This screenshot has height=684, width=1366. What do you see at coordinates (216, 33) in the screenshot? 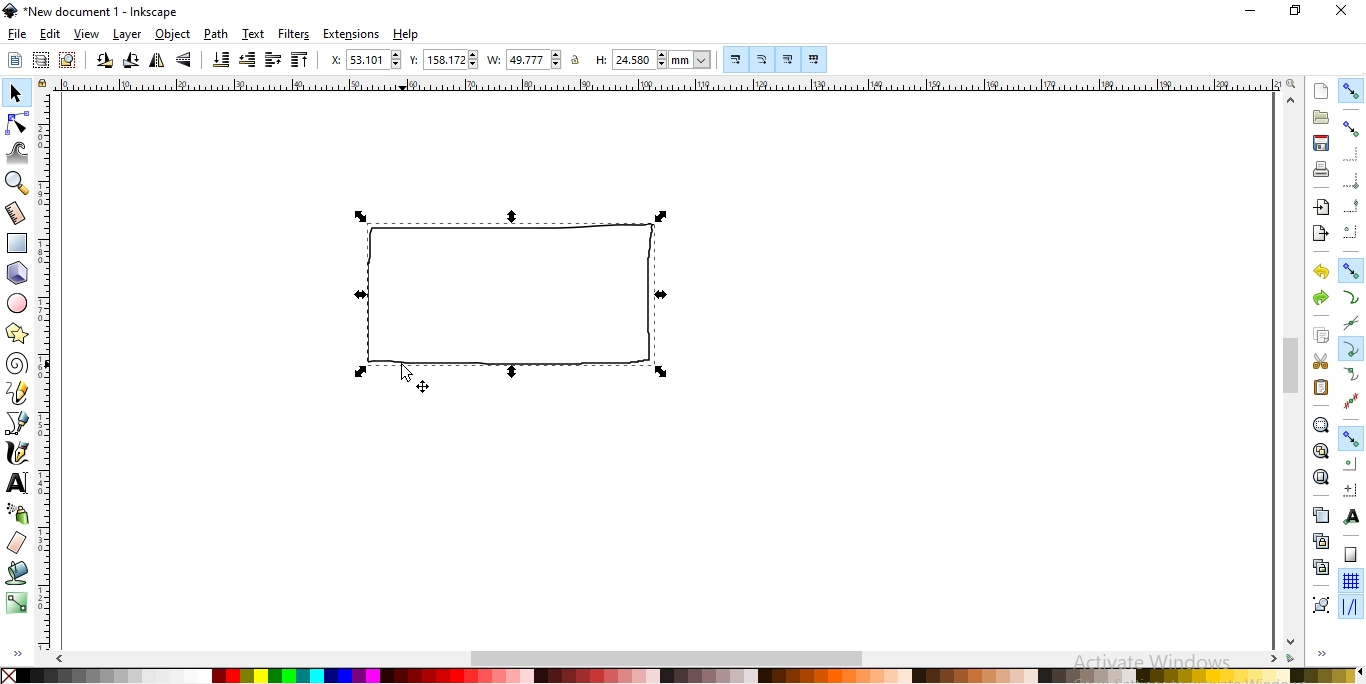
I see `path` at bounding box center [216, 33].